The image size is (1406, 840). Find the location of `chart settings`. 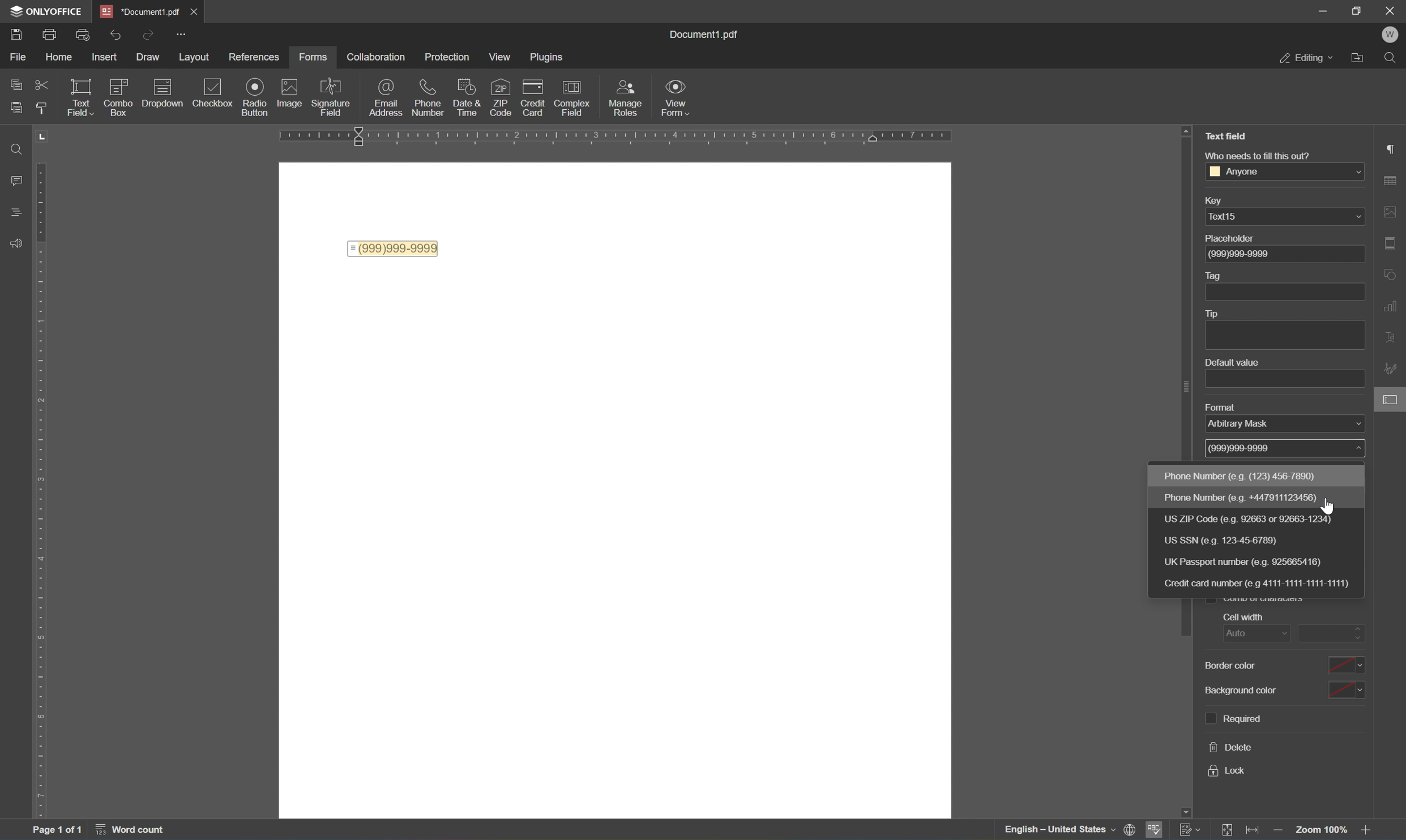

chart settings is located at coordinates (1394, 307).